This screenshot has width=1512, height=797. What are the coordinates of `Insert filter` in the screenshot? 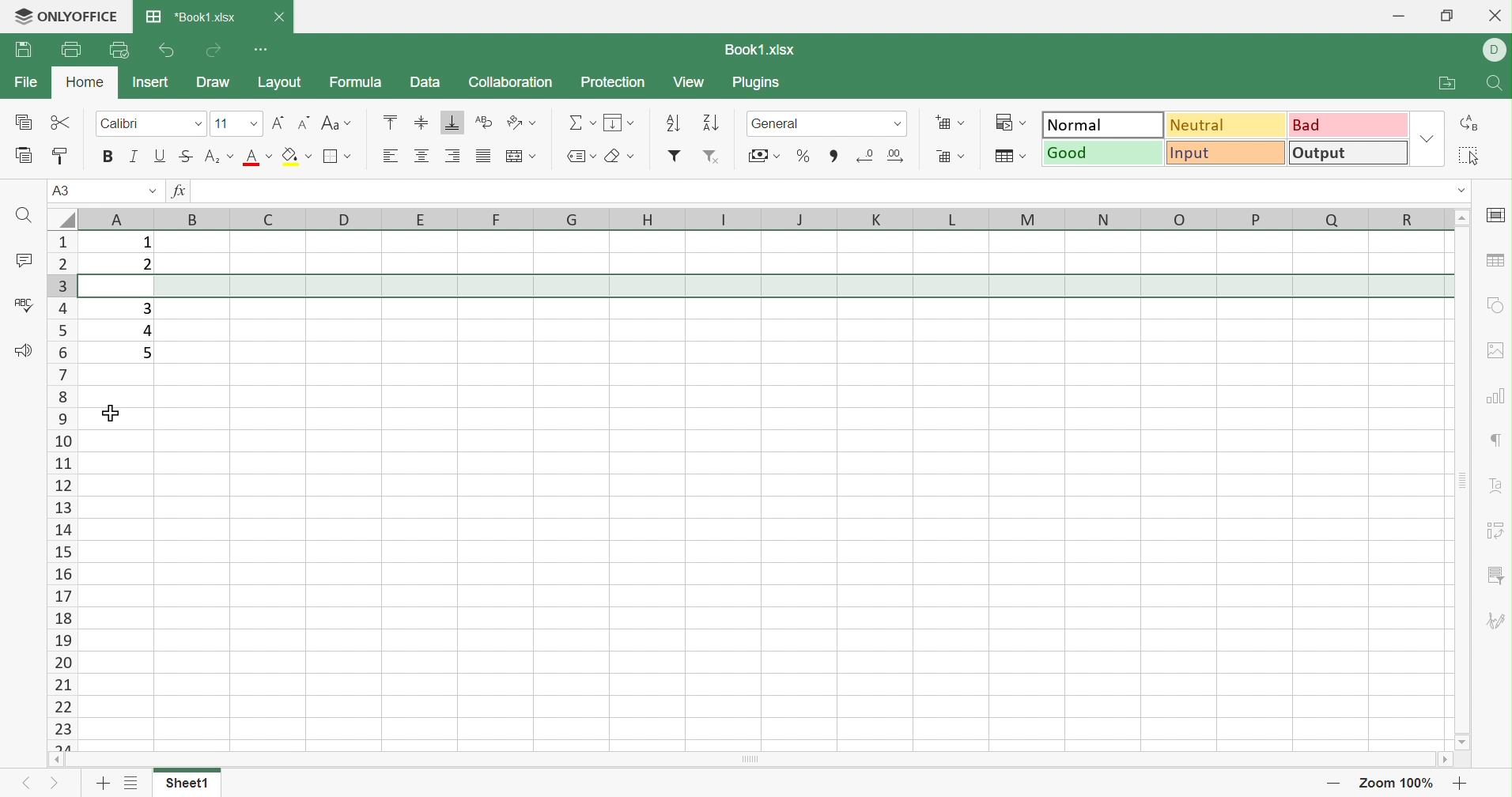 It's located at (674, 158).